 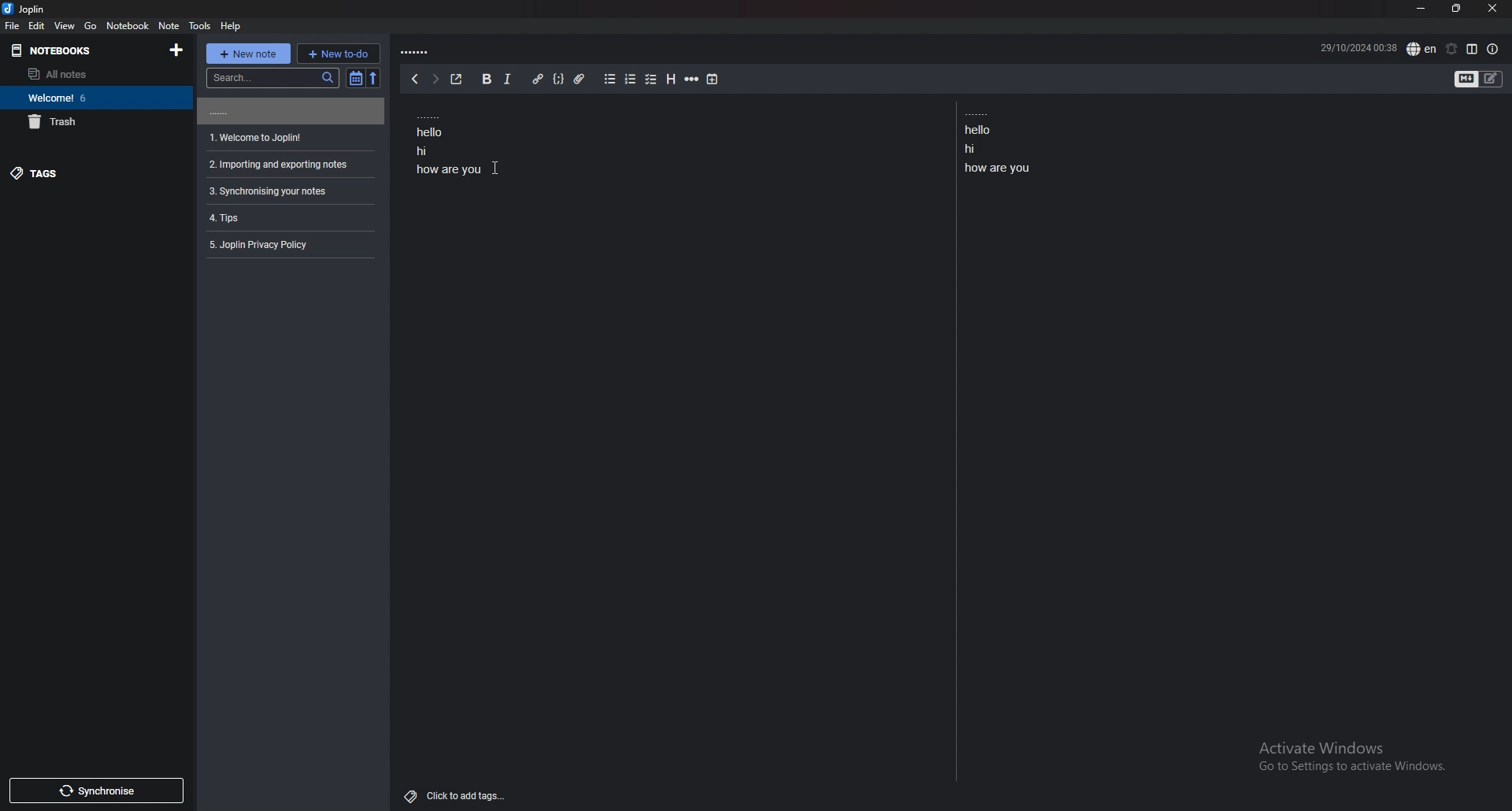 I want to click on heading, so click(x=670, y=79).